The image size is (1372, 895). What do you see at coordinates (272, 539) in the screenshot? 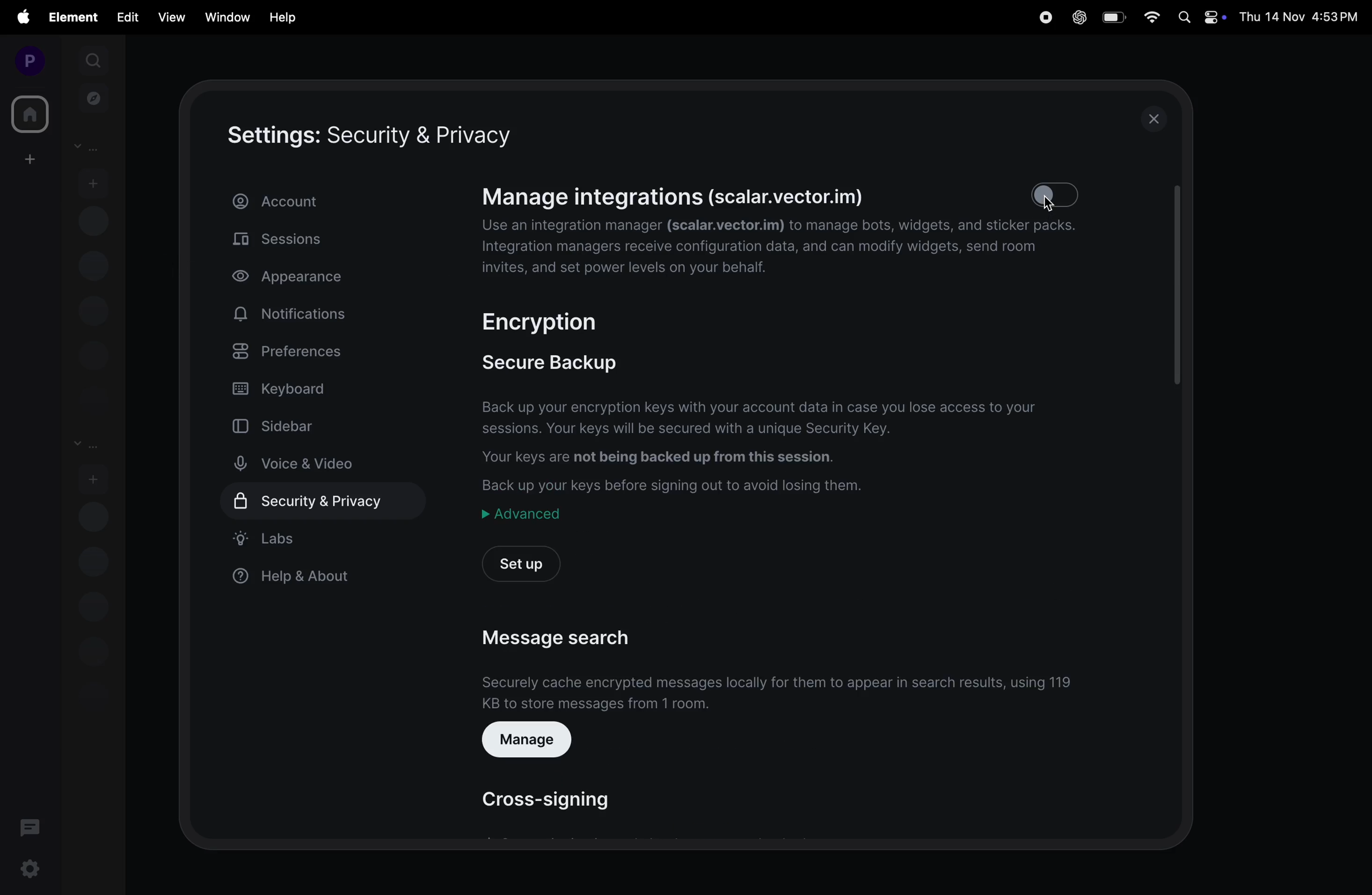
I see `labs` at bounding box center [272, 539].